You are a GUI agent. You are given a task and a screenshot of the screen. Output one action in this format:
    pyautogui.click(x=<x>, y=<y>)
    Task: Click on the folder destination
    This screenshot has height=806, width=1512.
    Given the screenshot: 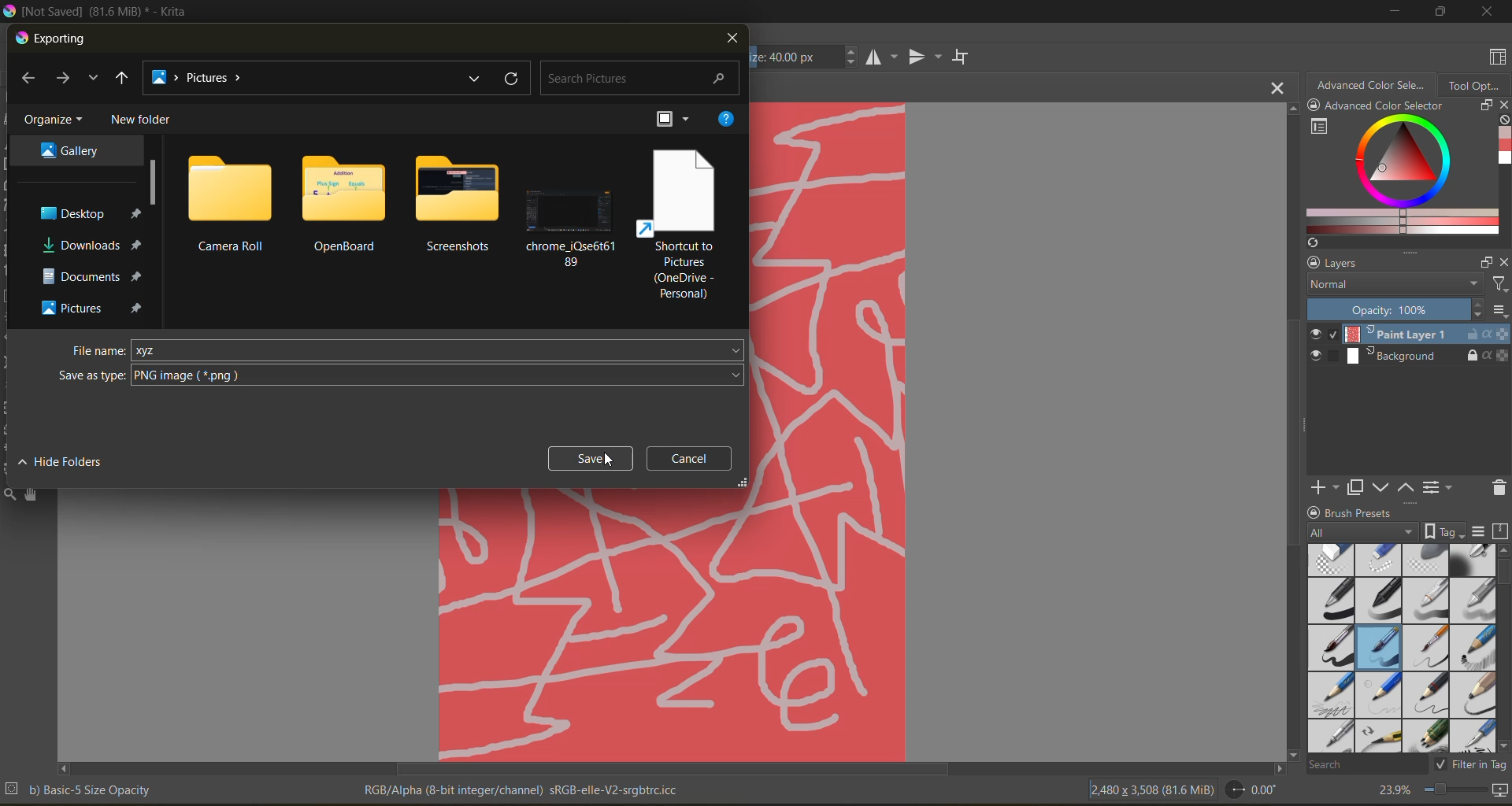 What is the action you would take?
    pyautogui.click(x=94, y=308)
    